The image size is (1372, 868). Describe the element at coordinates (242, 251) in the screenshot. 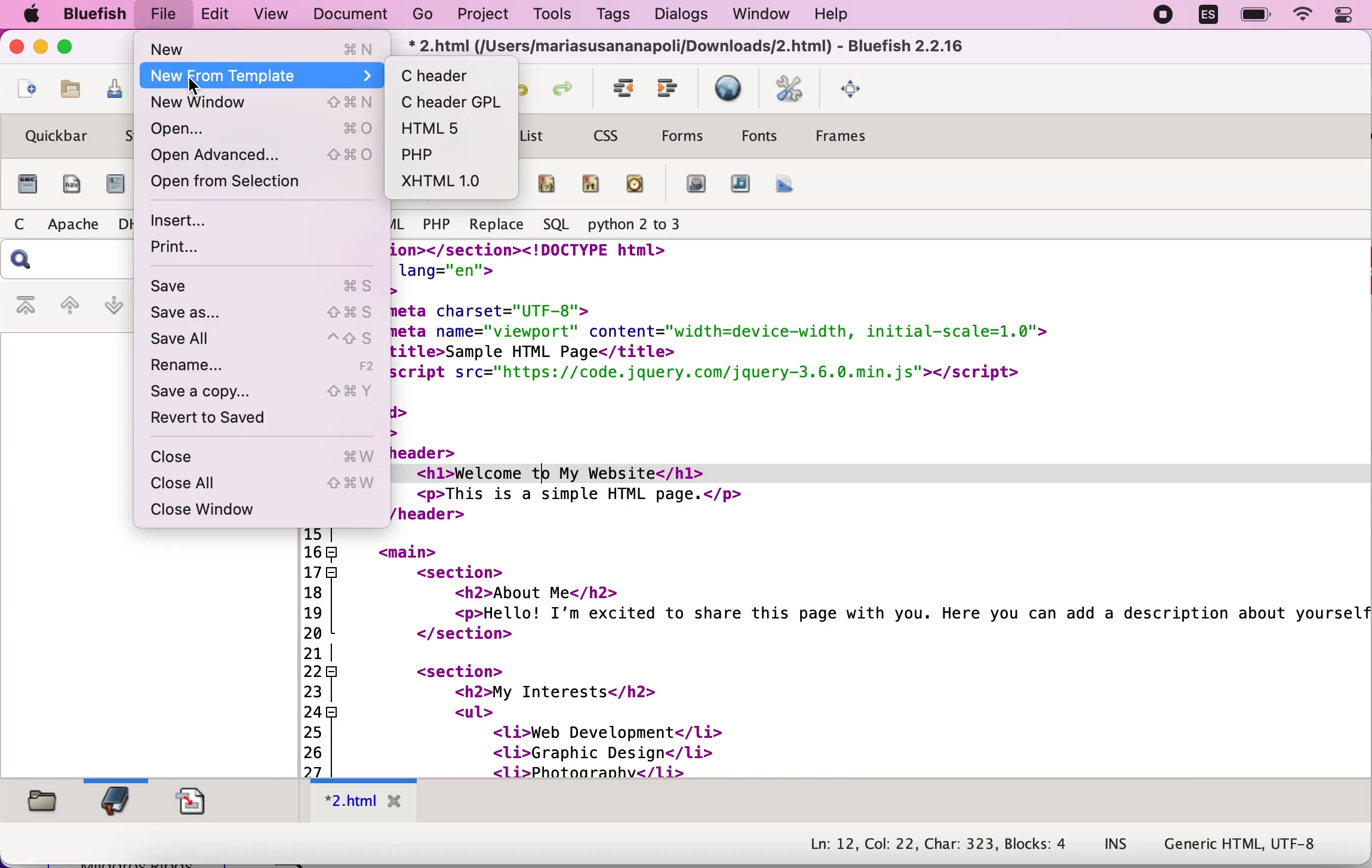

I see `print` at that location.